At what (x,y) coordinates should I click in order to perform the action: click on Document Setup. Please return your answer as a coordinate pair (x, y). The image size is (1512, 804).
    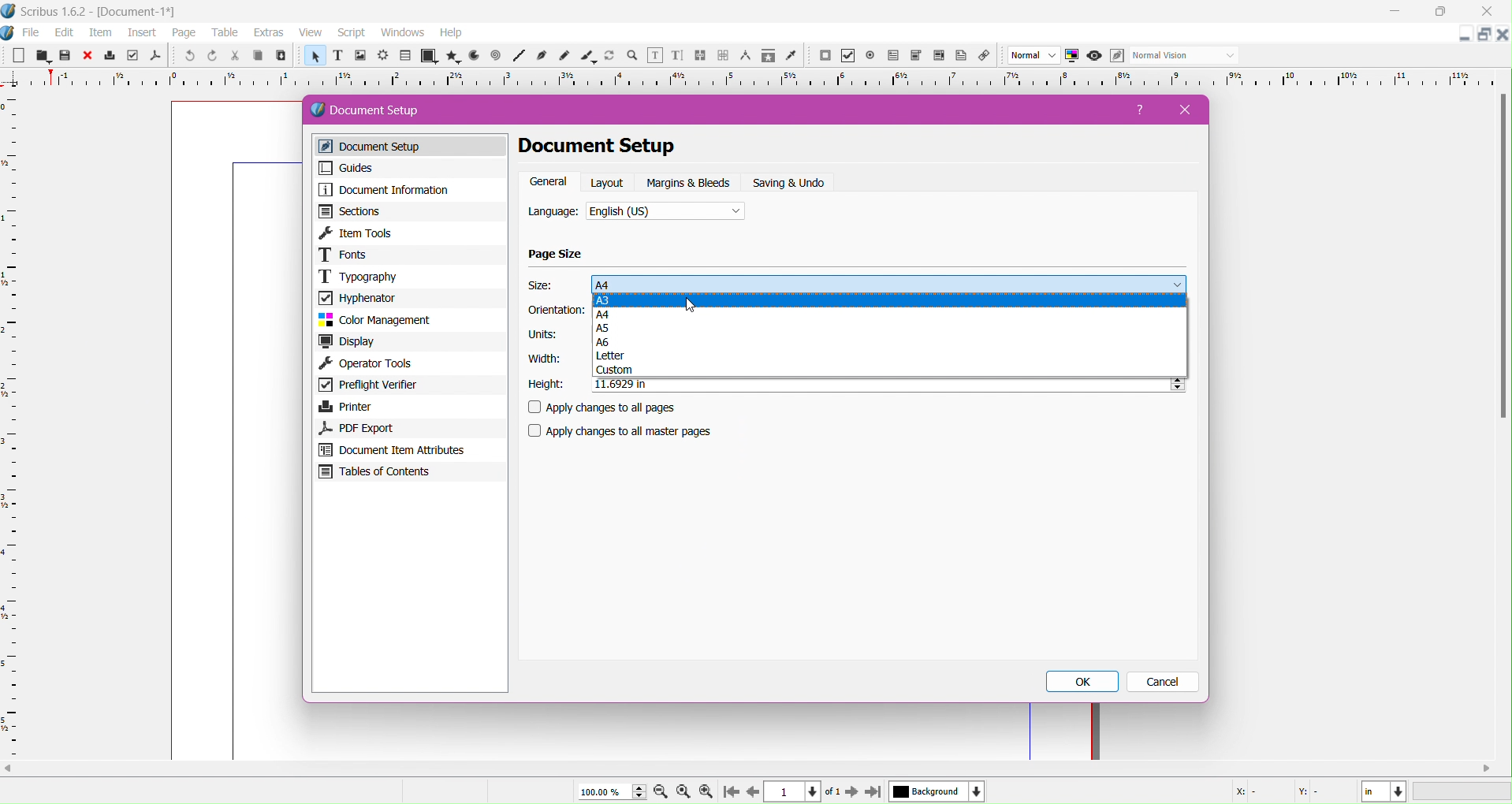
    Looking at the image, I should click on (414, 147).